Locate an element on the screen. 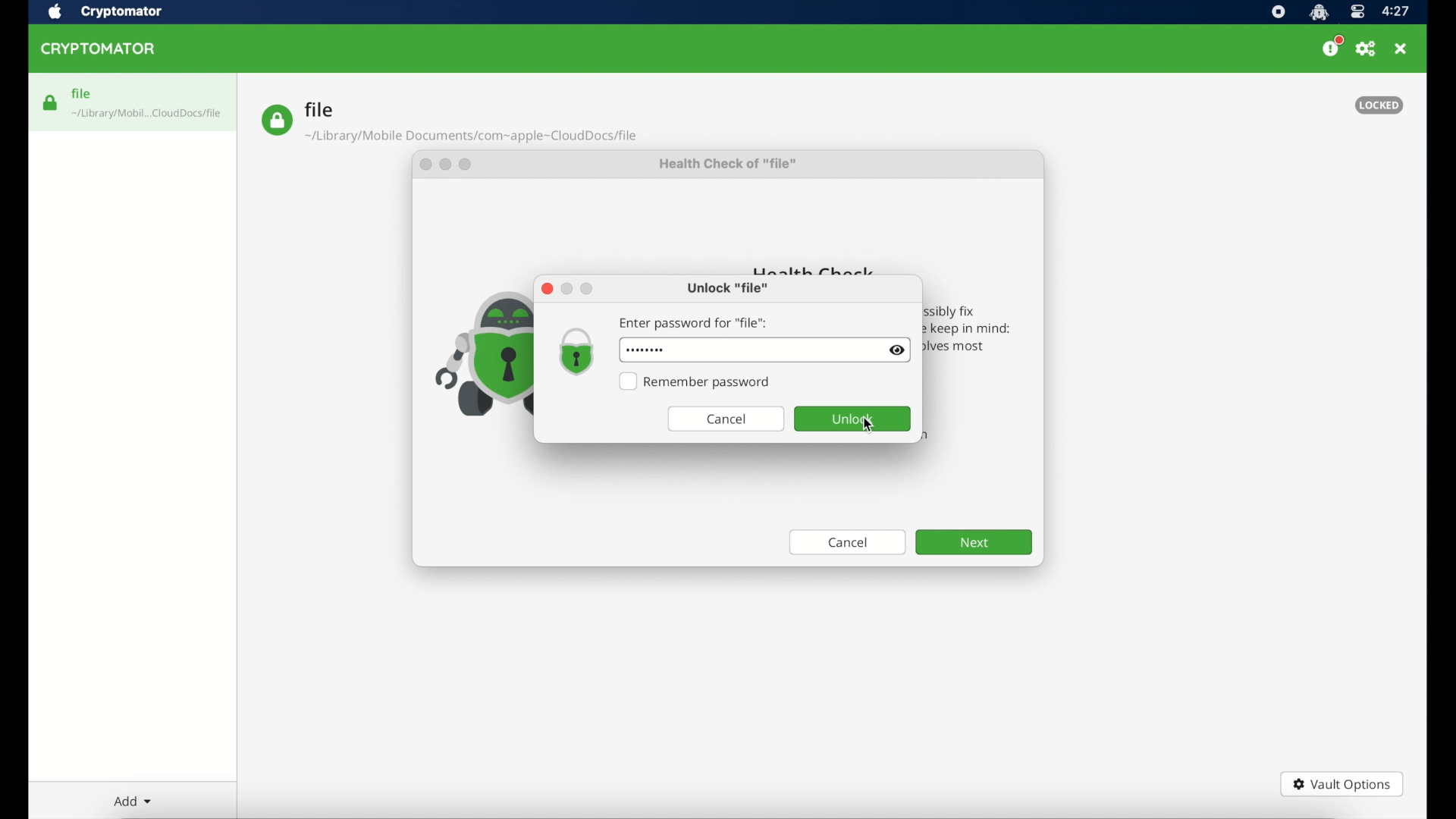 This screenshot has height=819, width=1456. unlock is located at coordinates (852, 419).